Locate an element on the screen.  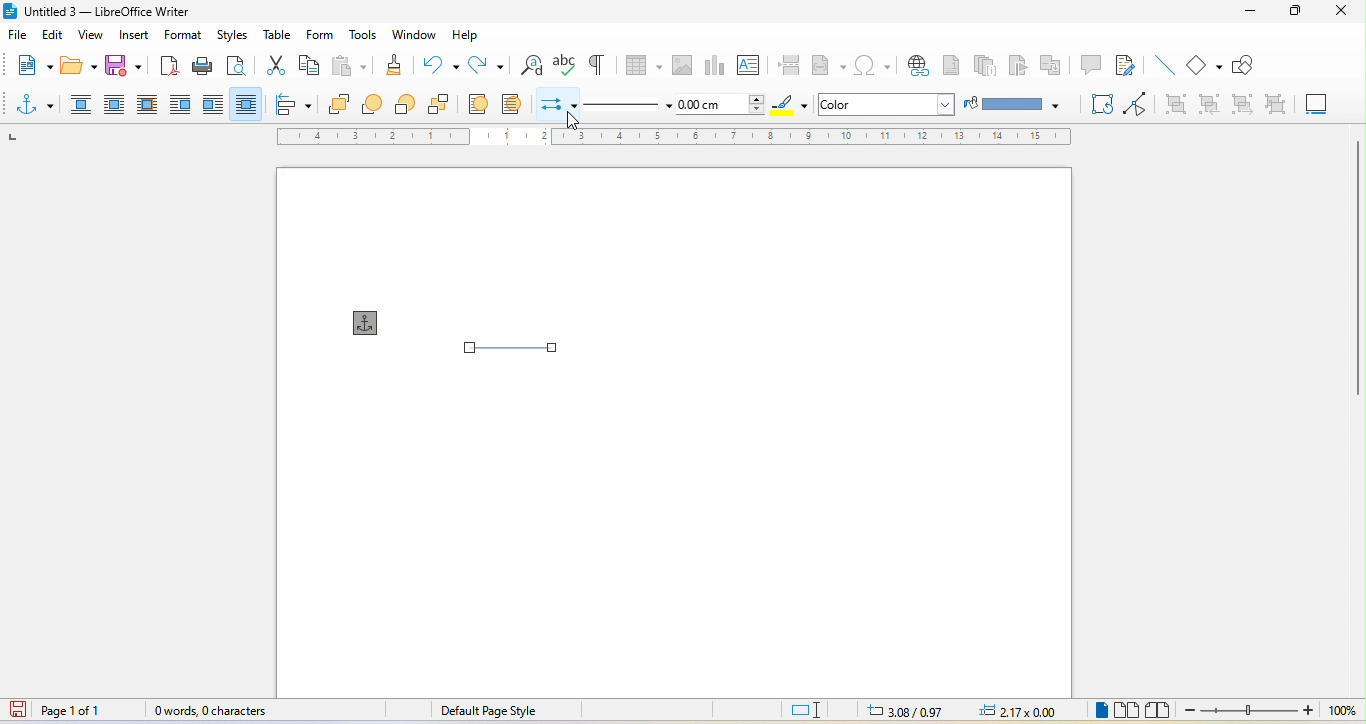
multiple page view is located at coordinates (1128, 711).